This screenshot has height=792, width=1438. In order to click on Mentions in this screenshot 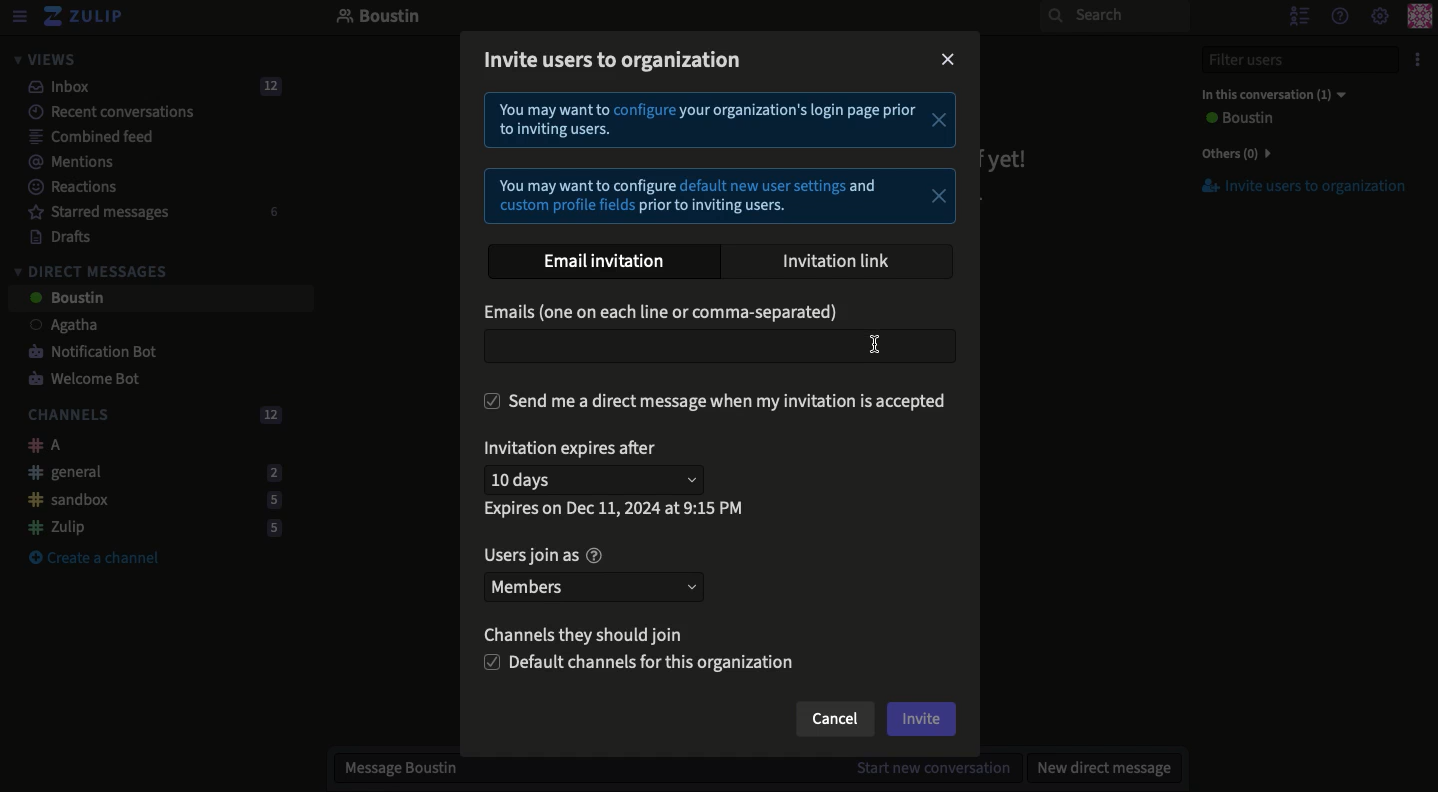, I will do `click(64, 162)`.